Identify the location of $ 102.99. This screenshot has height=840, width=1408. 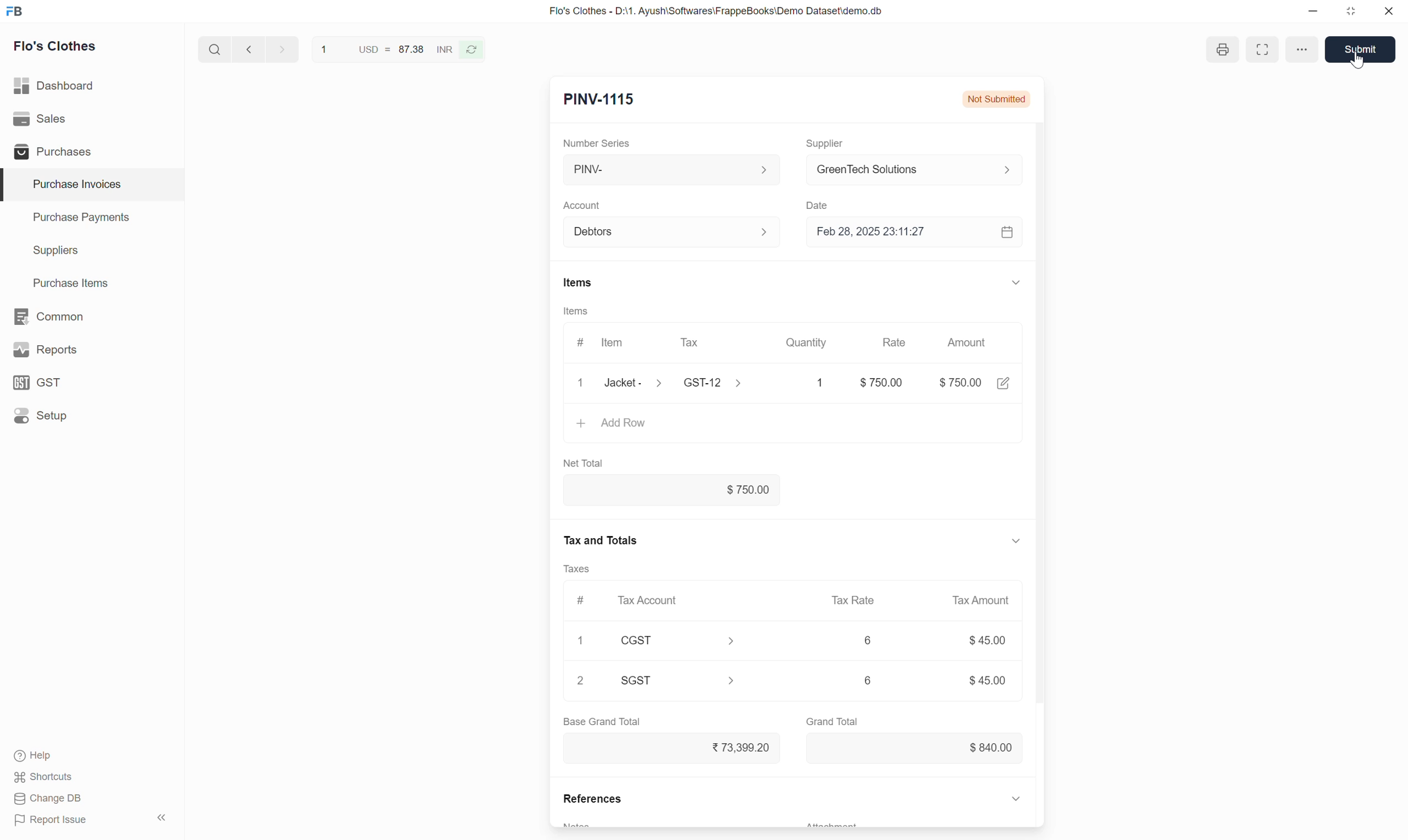
(960, 383).